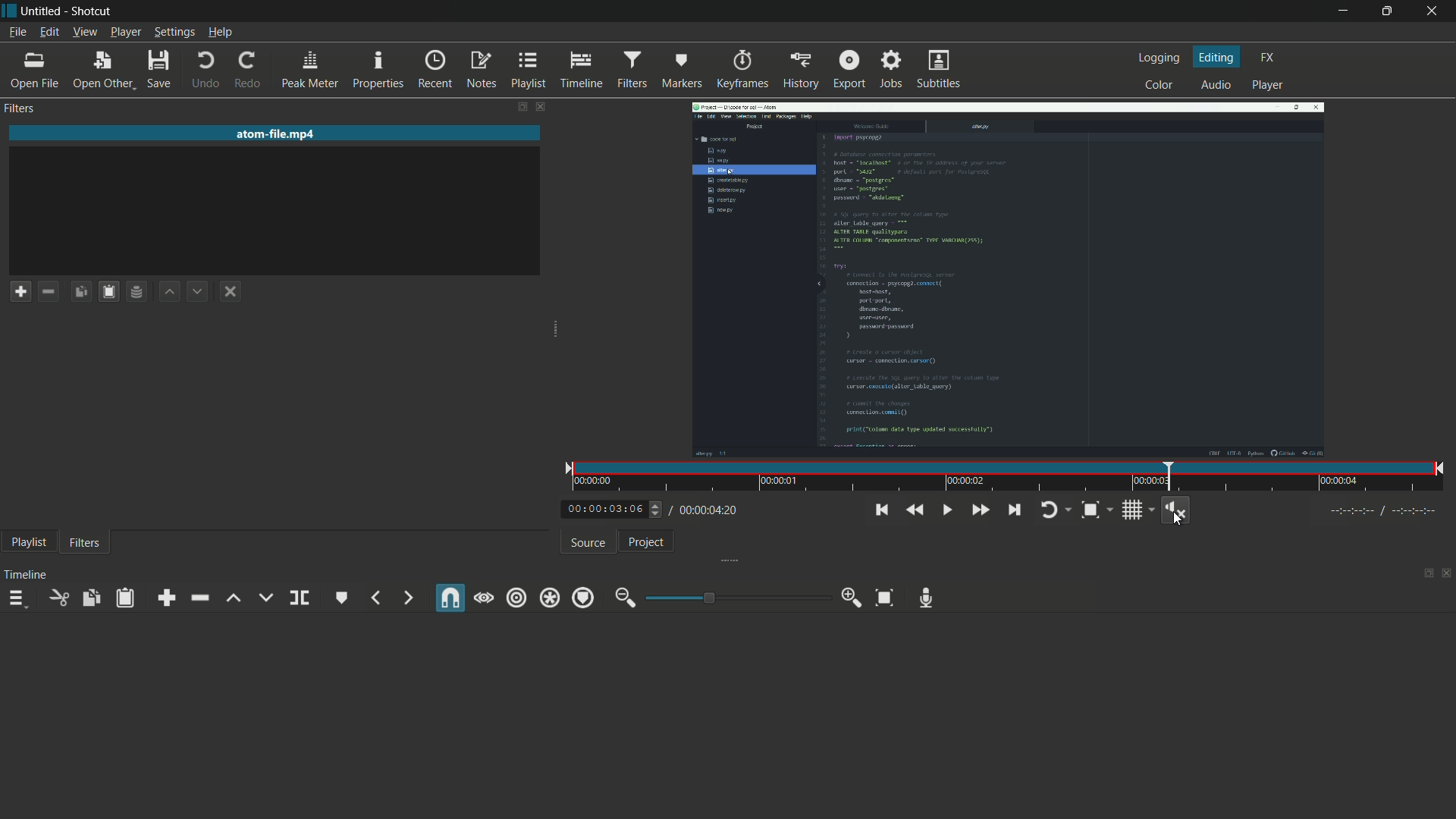 The width and height of the screenshot is (1456, 819). What do you see at coordinates (1134, 510) in the screenshot?
I see `toggle grid` at bounding box center [1134, 510].